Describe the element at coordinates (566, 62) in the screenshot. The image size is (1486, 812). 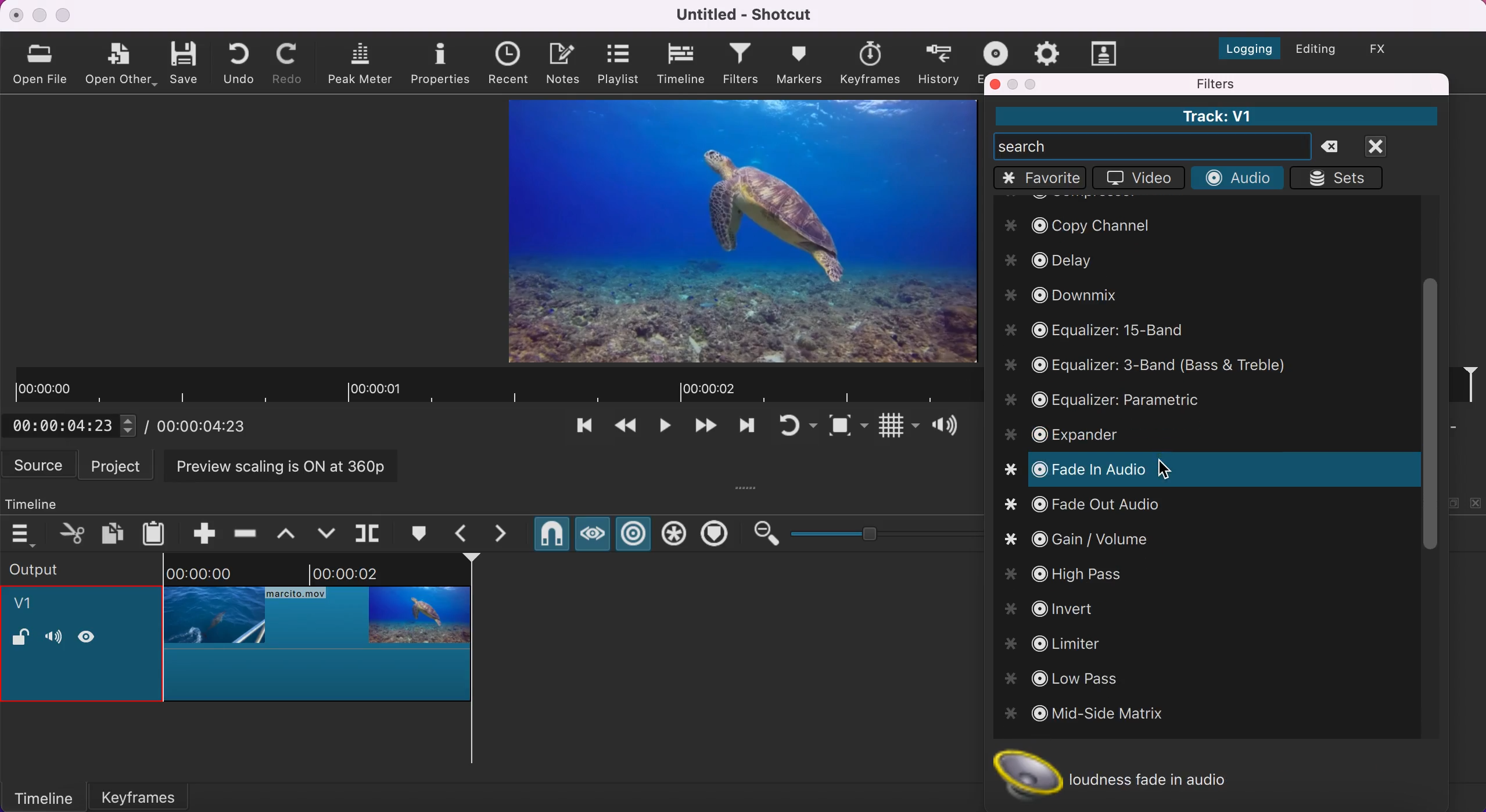
I see `notes` at that location.